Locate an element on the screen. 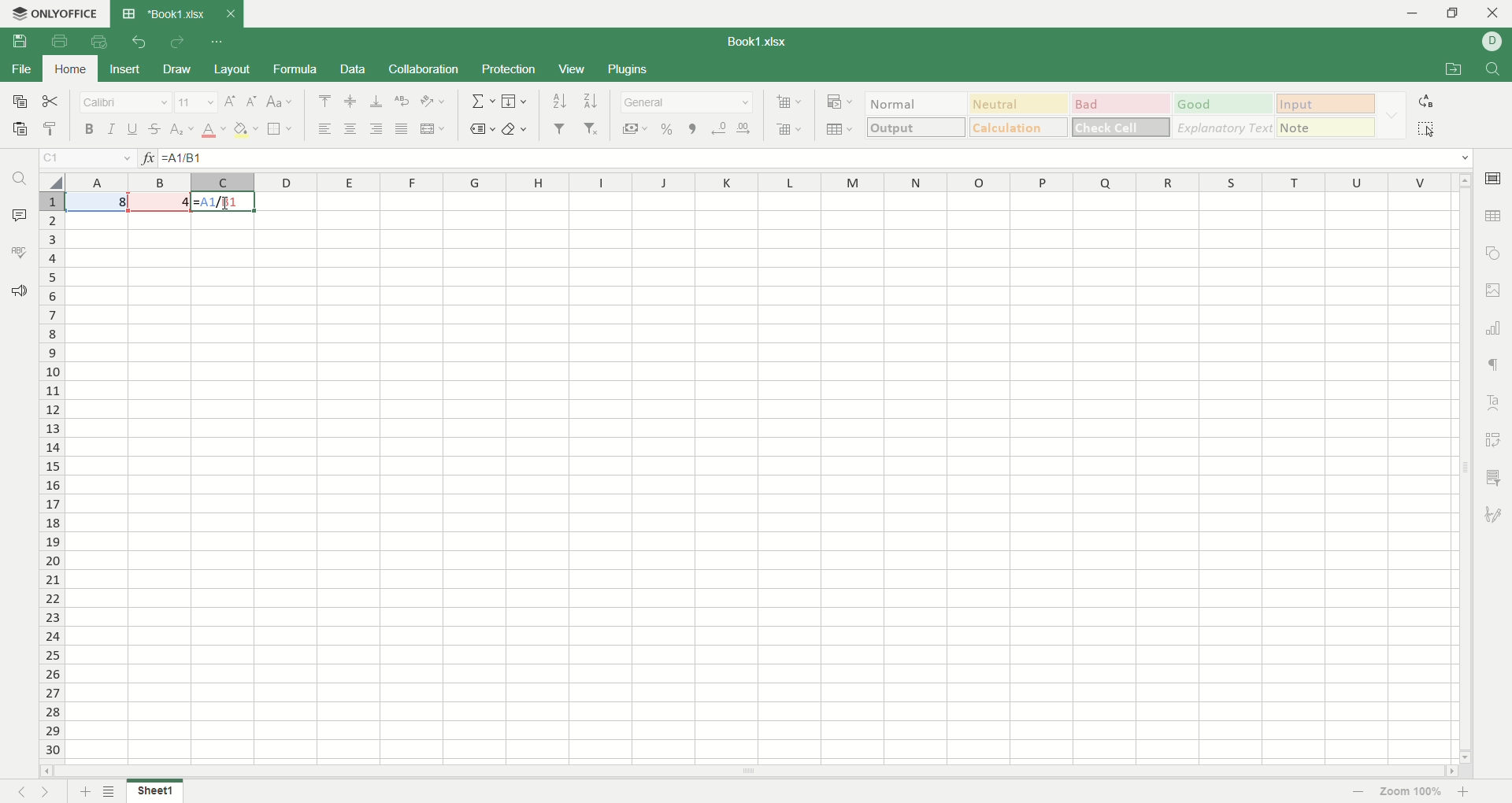 Image resolution: width=1512 pixels, height=803 pixels. conditional formatting is located at coordinates (840, 103).